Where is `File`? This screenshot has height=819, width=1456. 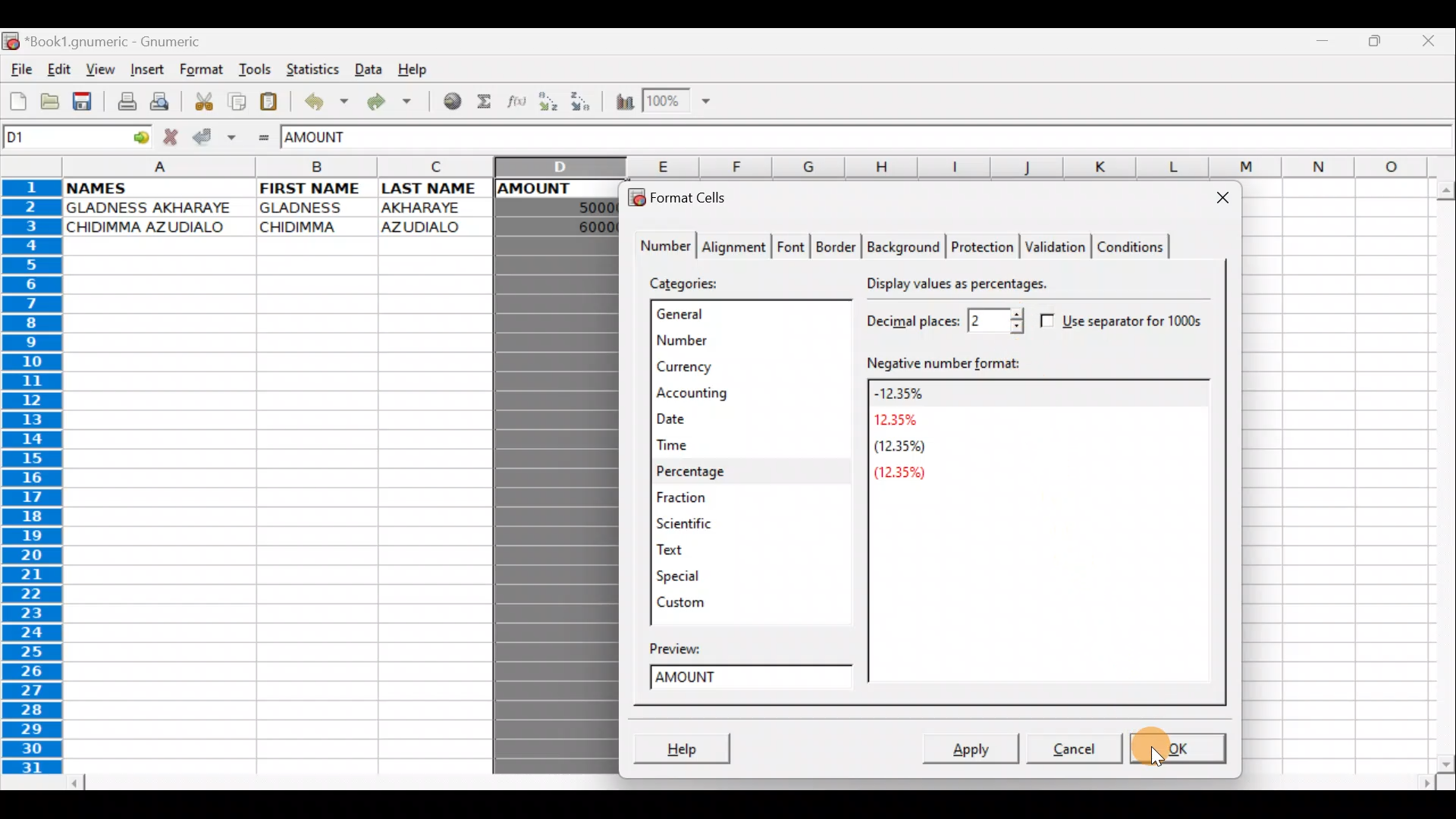 File is located at coordinates (20, 71).